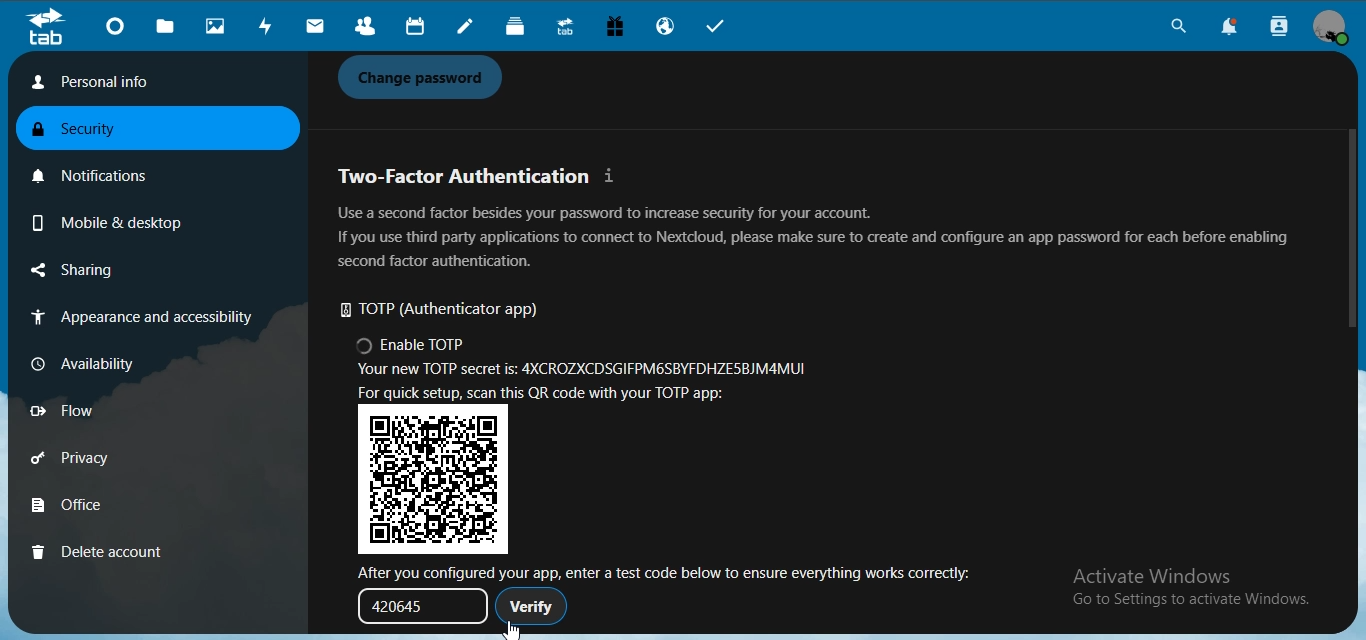 Image resolution: width=1366 pixels, height=640 pixels. I want to click on availability, so click(94, 362).